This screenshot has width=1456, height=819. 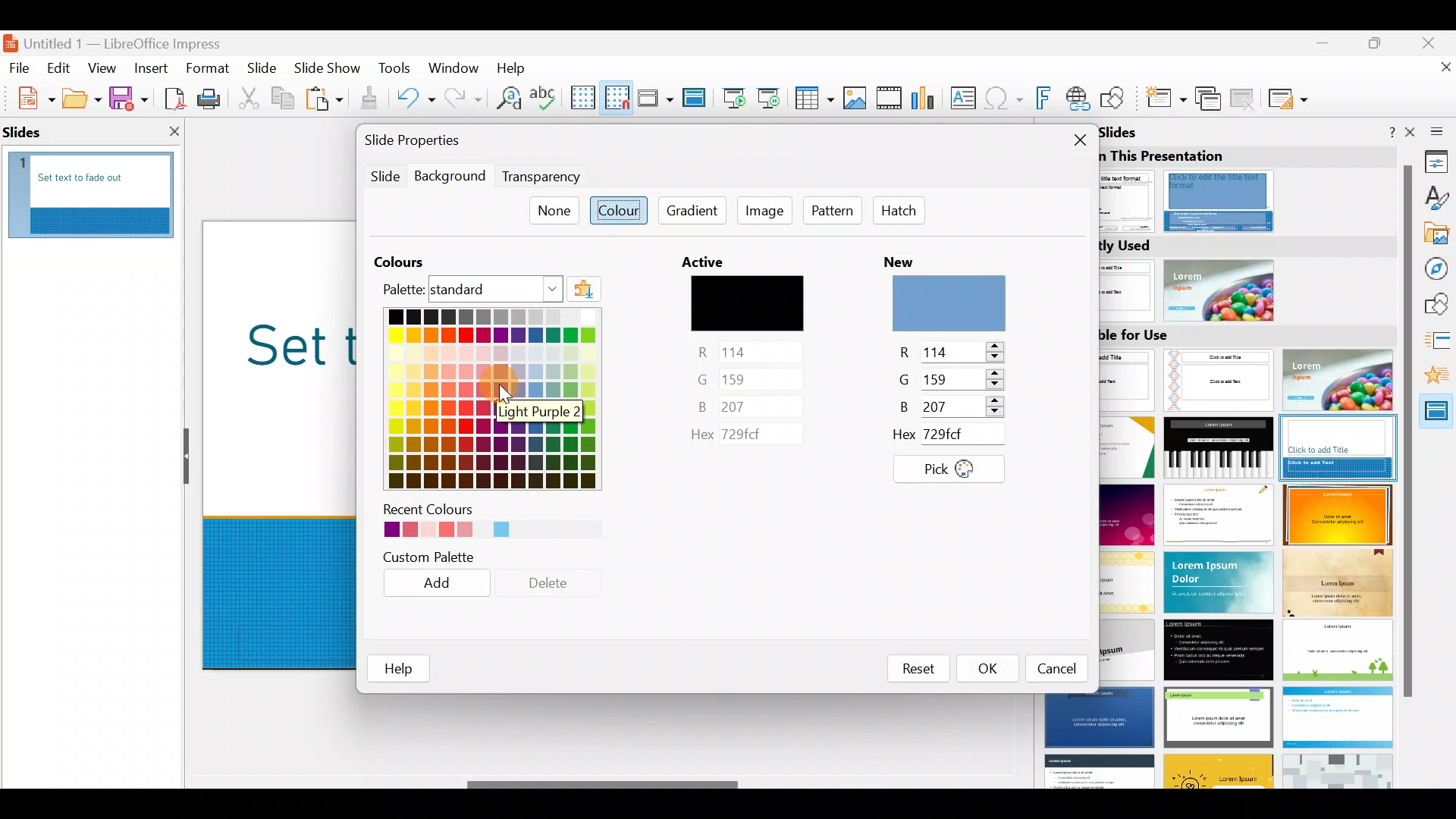 I want to click on Image, so click(x=767, y=214).